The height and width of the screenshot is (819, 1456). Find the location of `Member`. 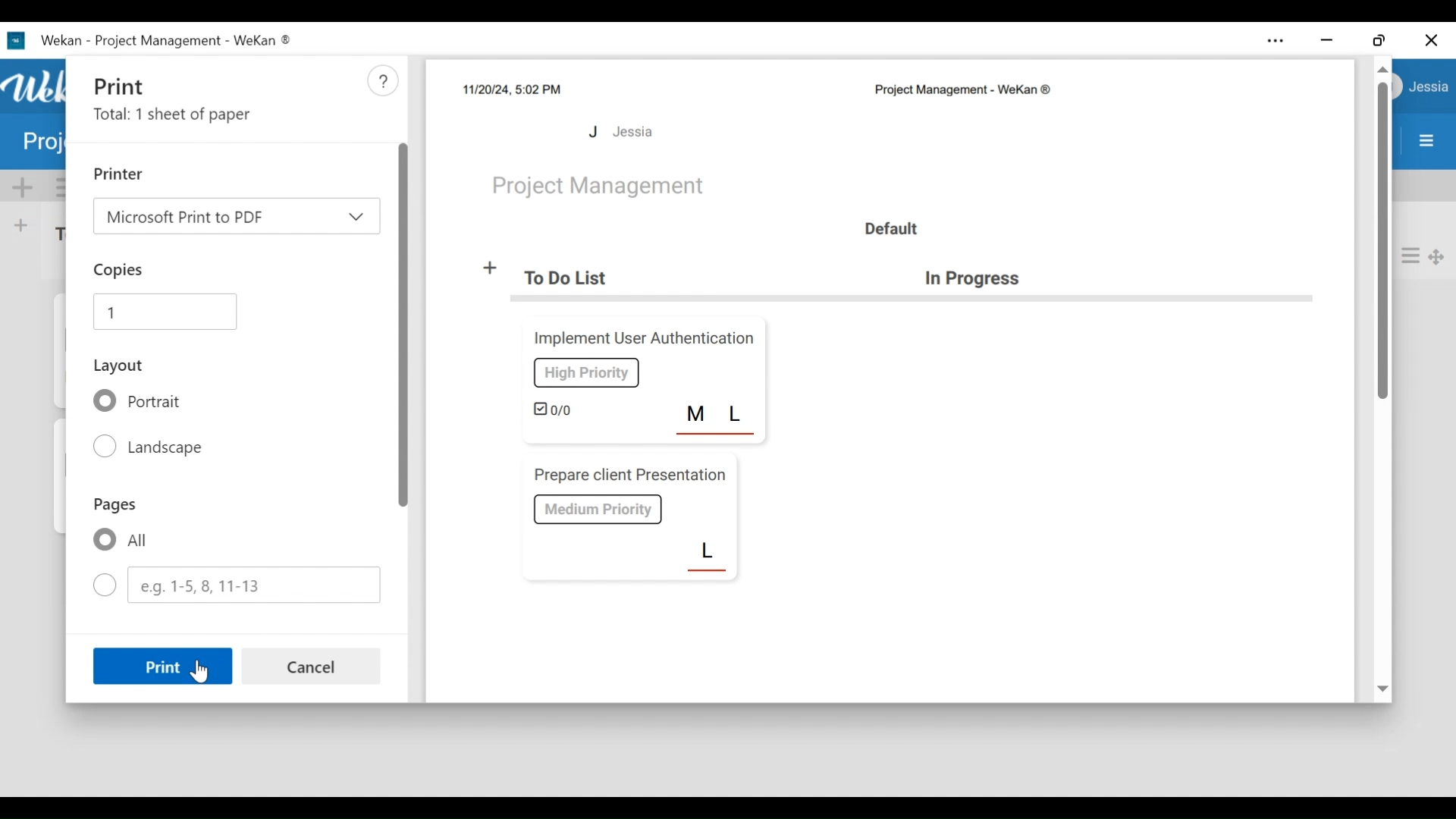

Member is located at coordinates (620, 131).